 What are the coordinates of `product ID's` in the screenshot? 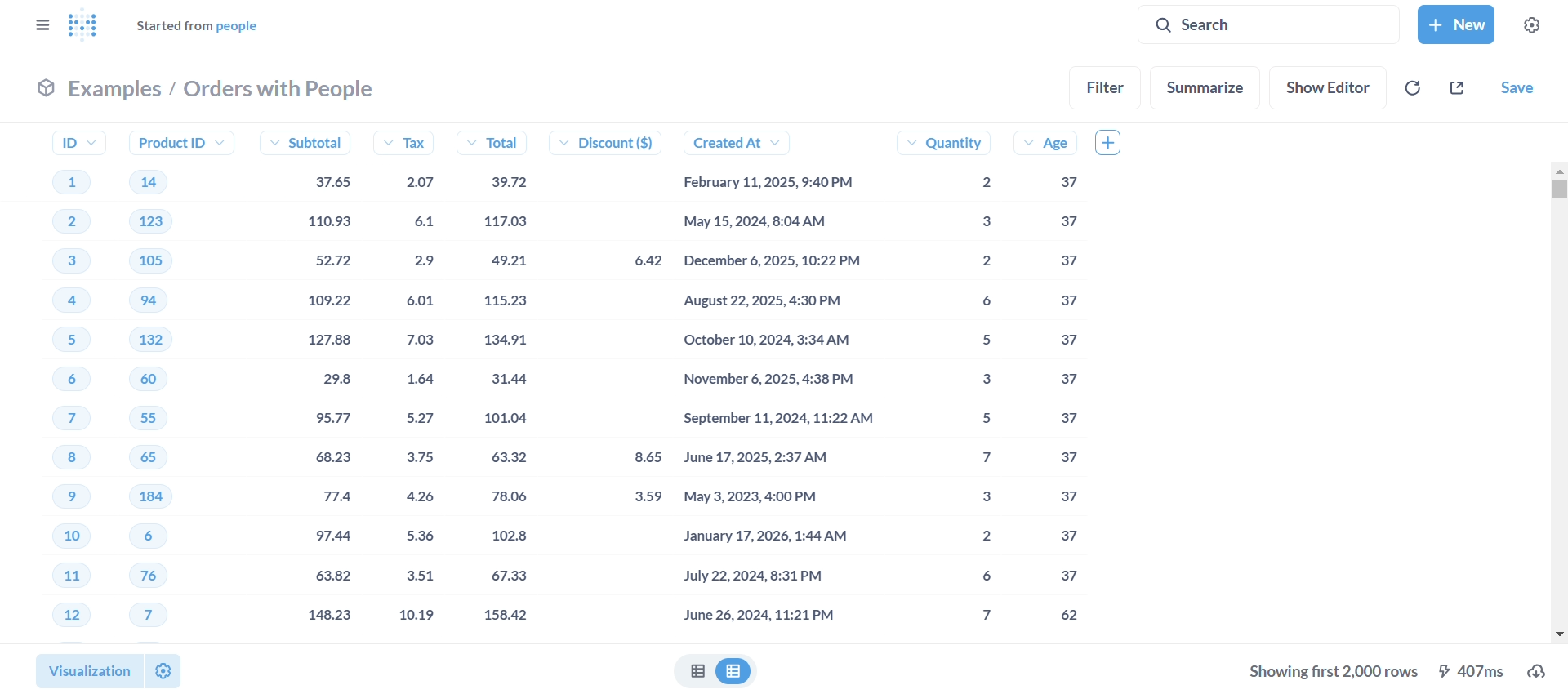 It's located at (181, 385).